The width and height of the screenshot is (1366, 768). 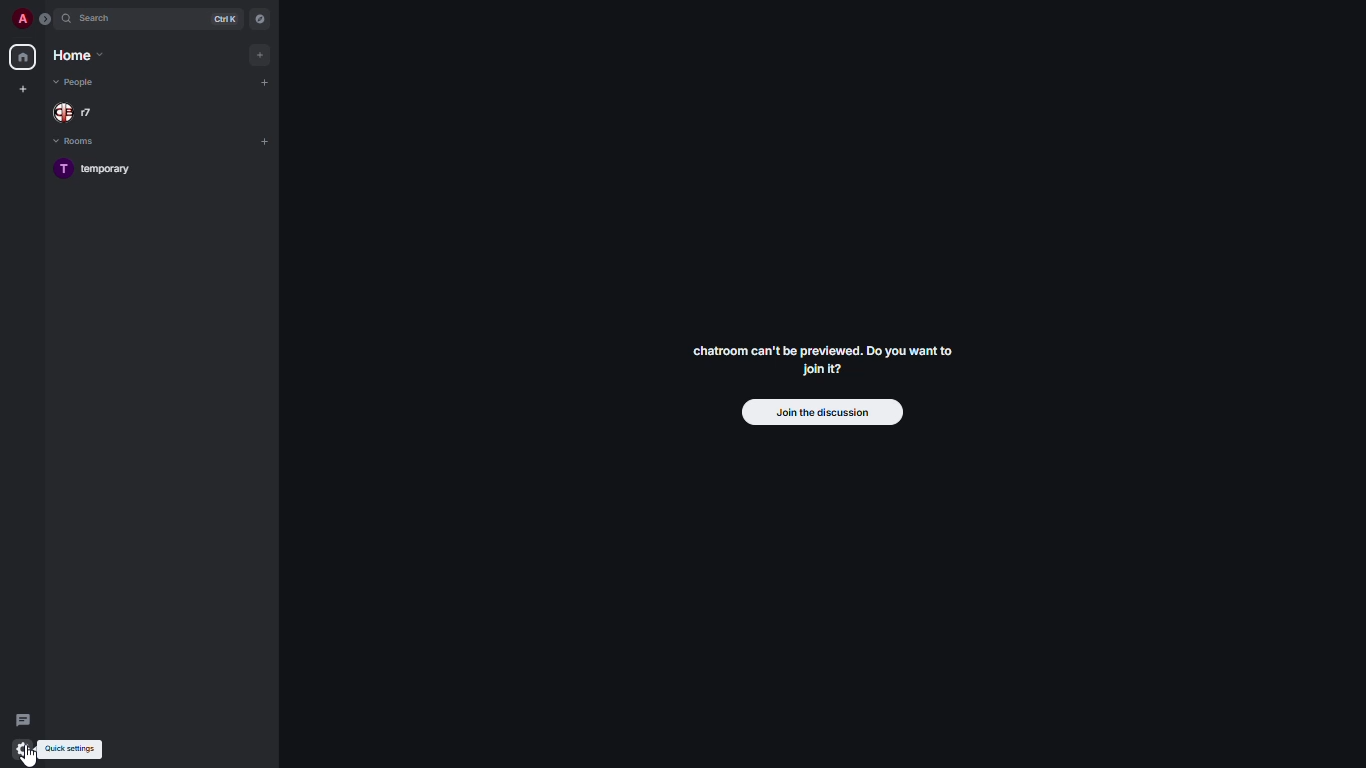 What do you see at coordinates (264, 140) in the screenshot?
I see `add` at bounding box center [264, 140].